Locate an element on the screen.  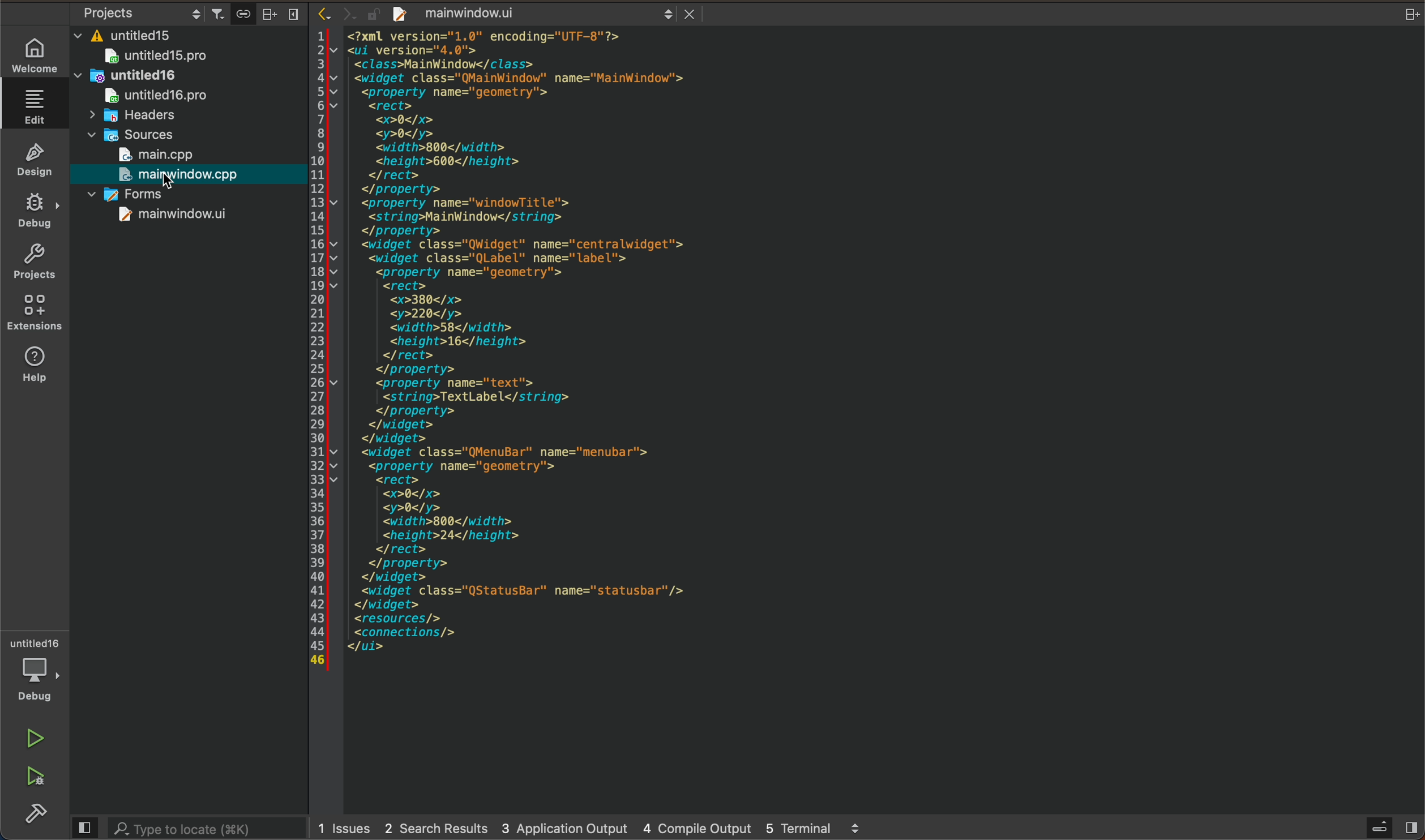
debugger is located at coordinates (37, 670).